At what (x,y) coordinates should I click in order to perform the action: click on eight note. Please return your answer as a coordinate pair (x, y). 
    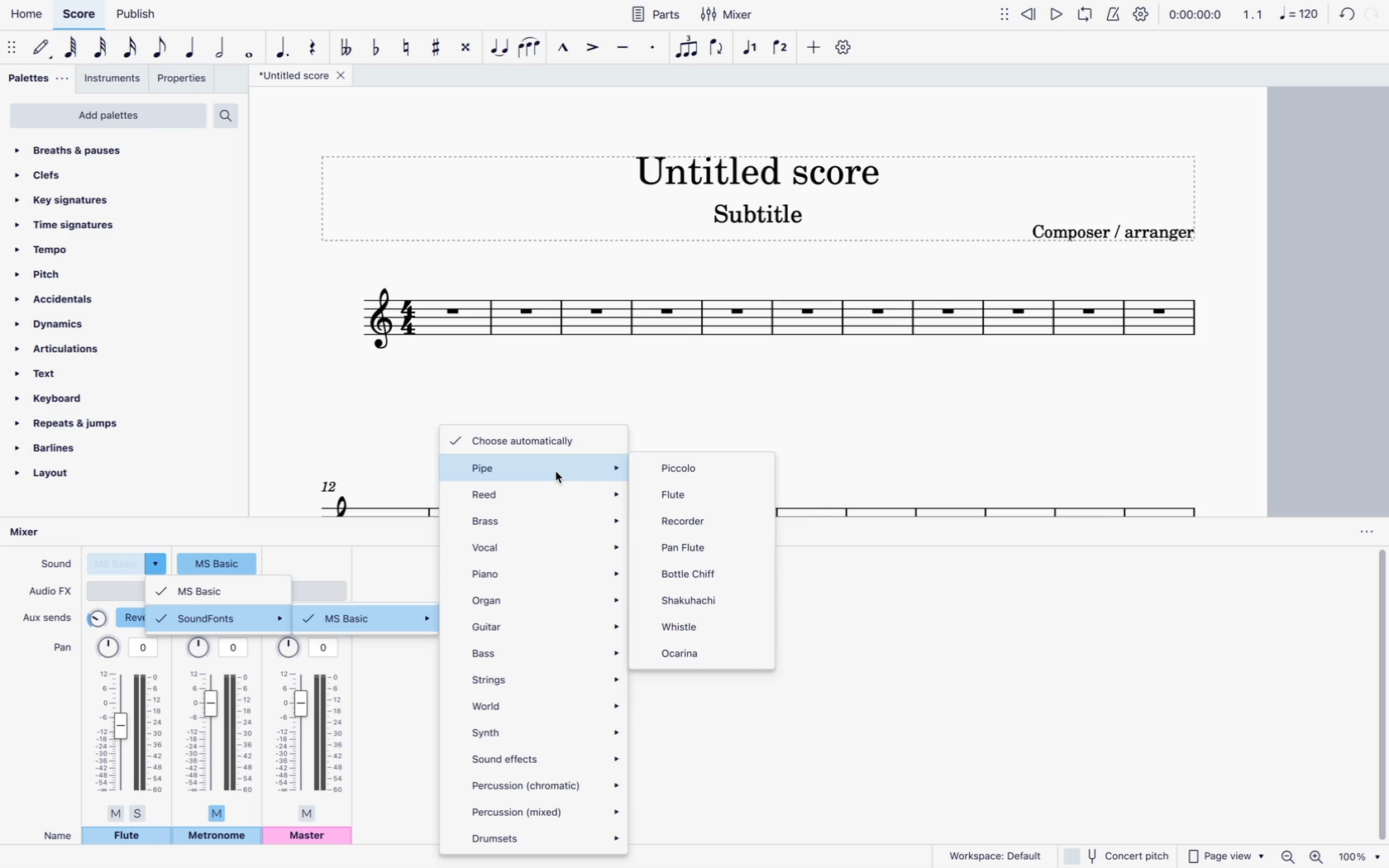
    Looking at the image, I should click on (161, 50).